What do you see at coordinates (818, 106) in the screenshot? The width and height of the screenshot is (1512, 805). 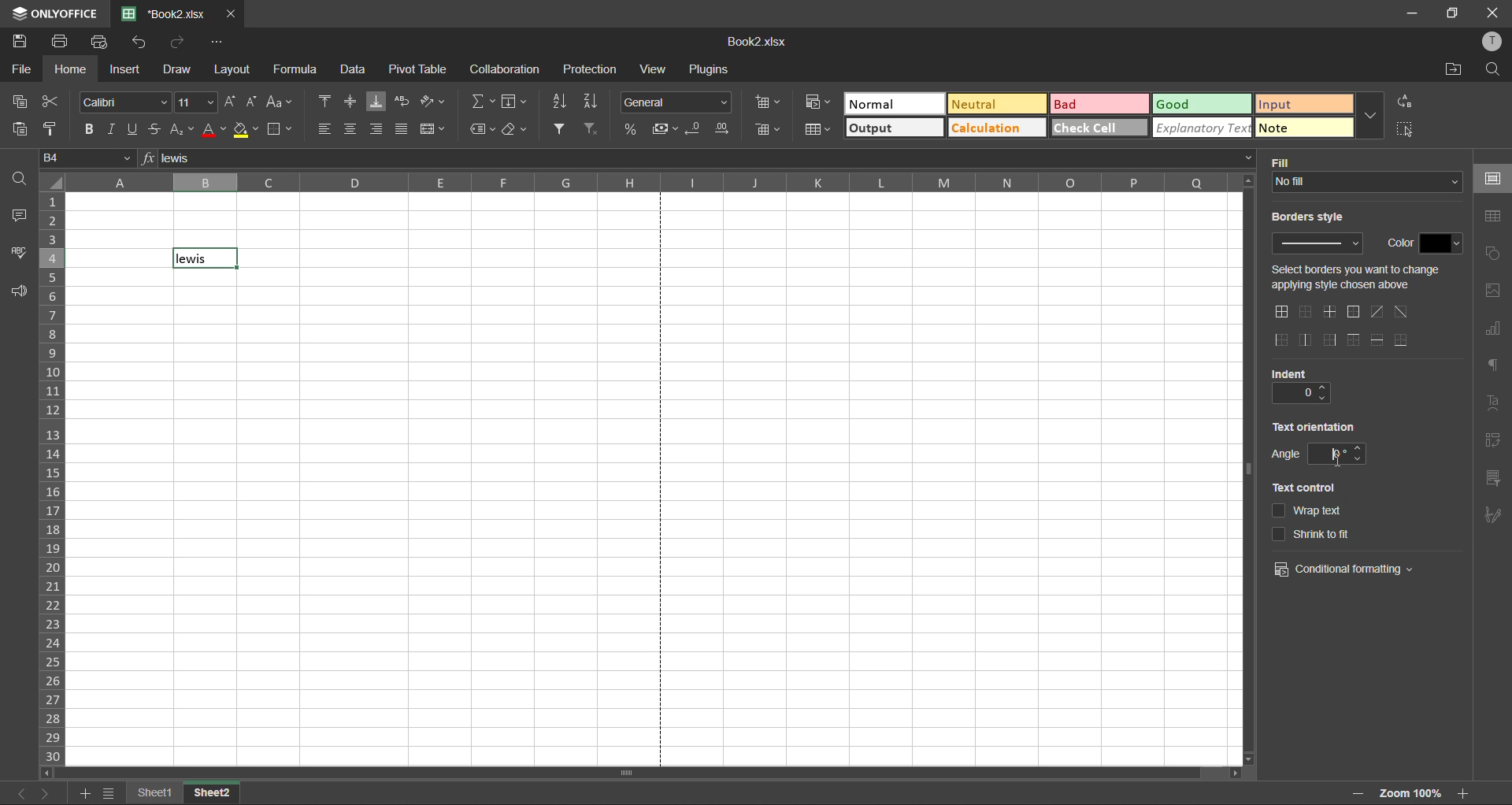 I see `conditional formatting` at bounding box center [818, 106].